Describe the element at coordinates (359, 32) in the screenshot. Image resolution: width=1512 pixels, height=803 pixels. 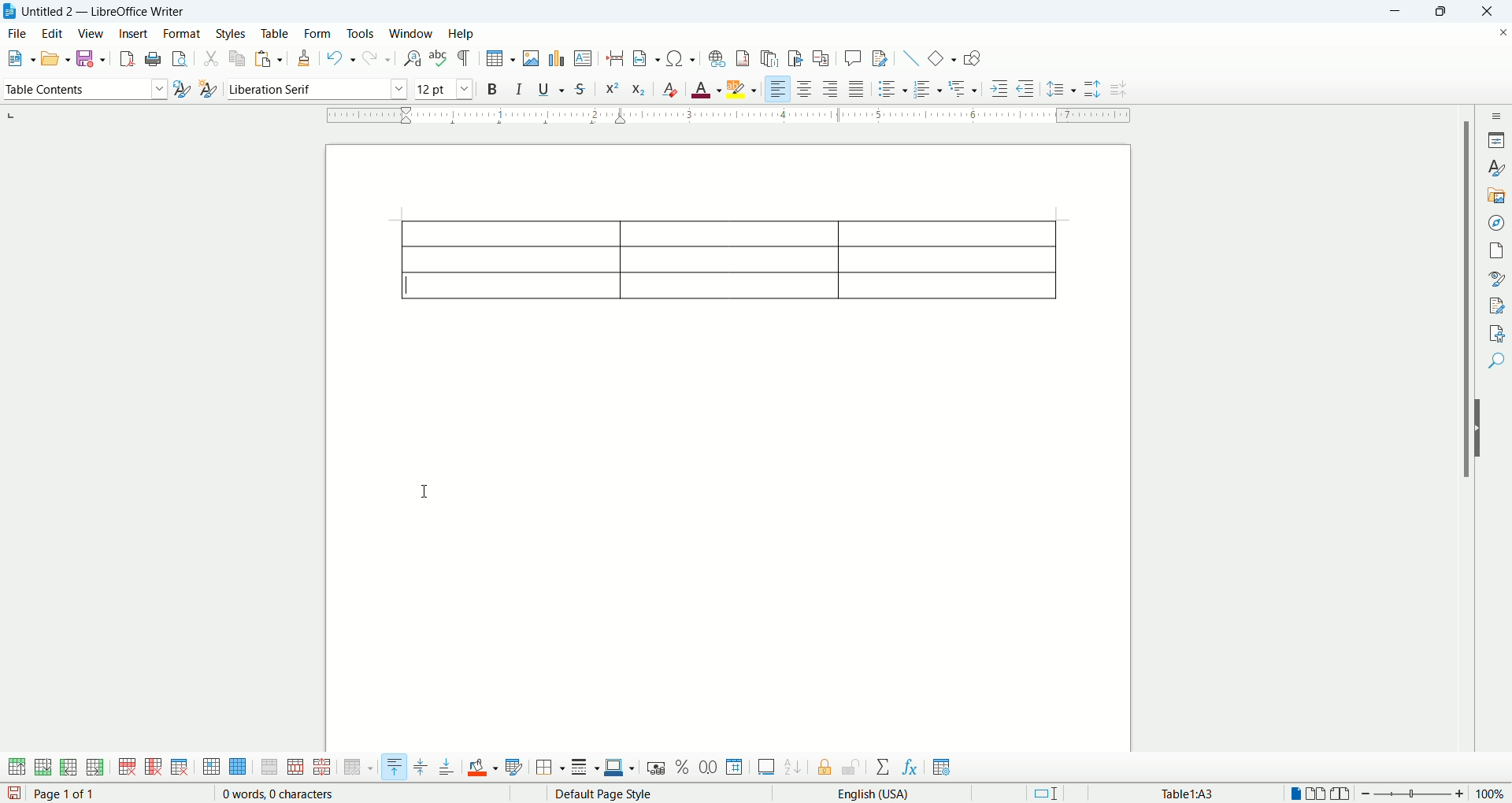
I see `tools` at that location.